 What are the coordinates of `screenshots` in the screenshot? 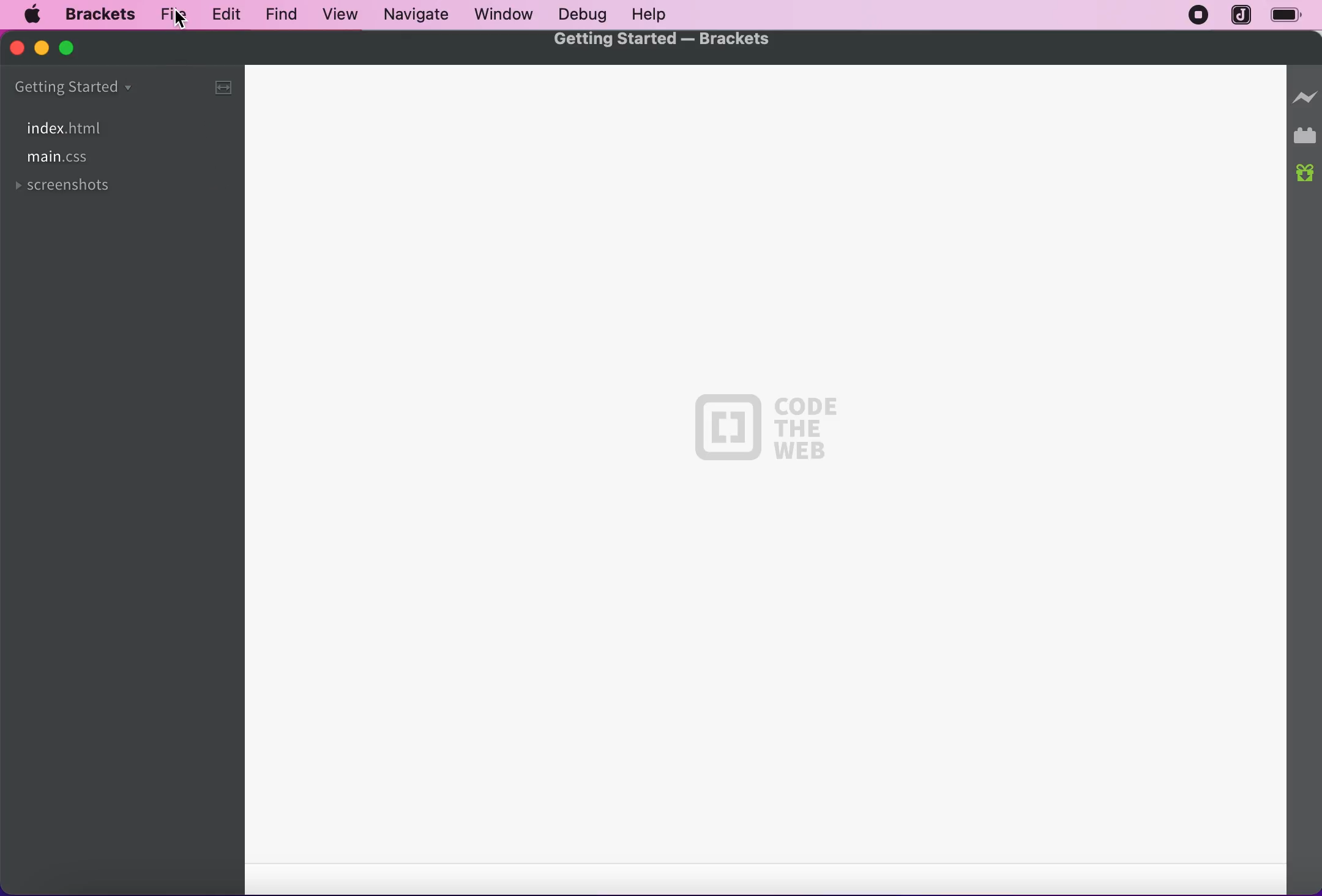 It's located at (66, 190).